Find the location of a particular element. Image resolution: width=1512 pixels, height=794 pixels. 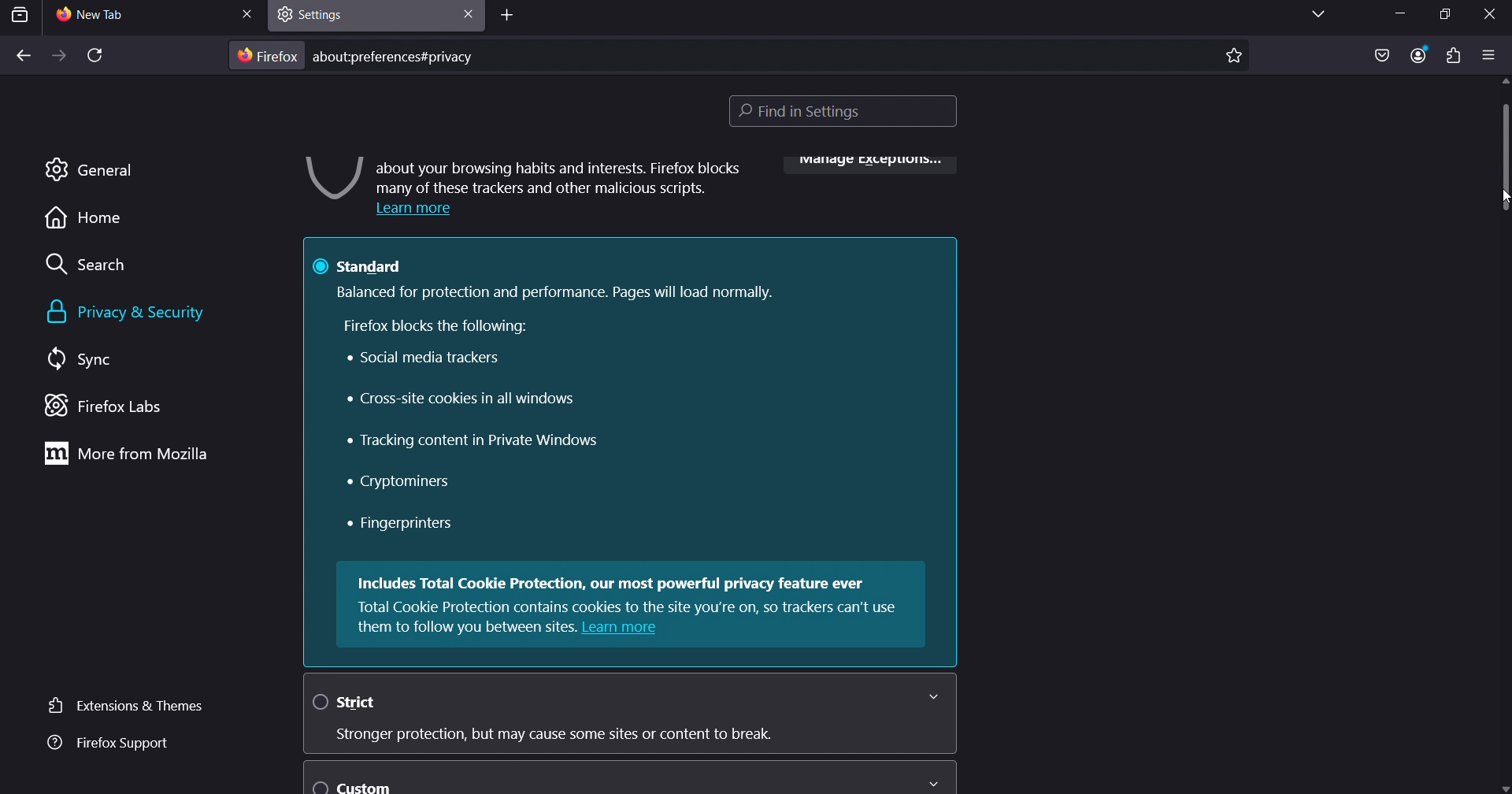

extensions is located at coordinates (1451, 56).